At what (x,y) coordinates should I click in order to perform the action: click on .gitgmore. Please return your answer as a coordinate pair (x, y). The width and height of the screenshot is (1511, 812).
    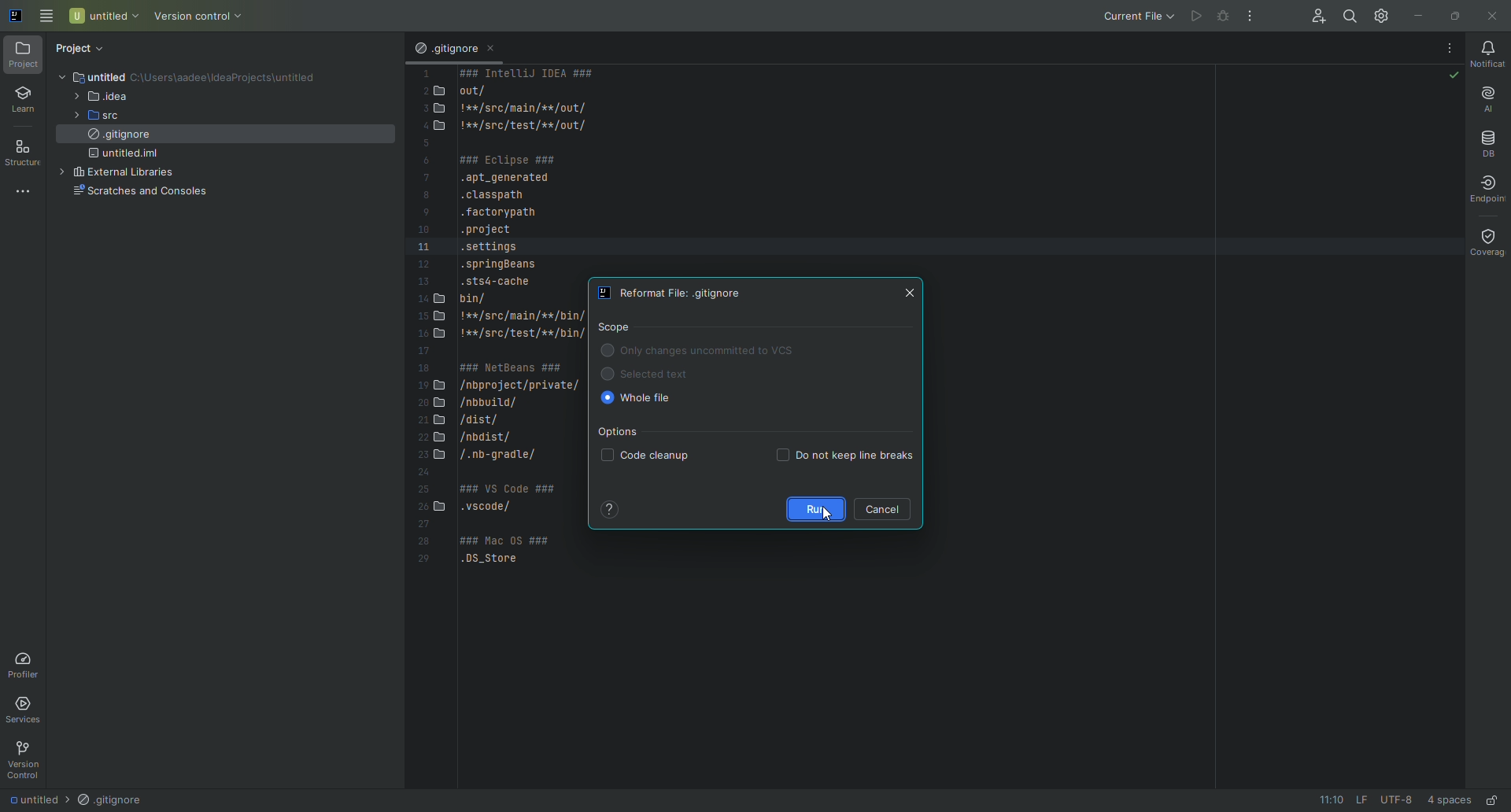
    Looking at the image, I should click on (445, 50).